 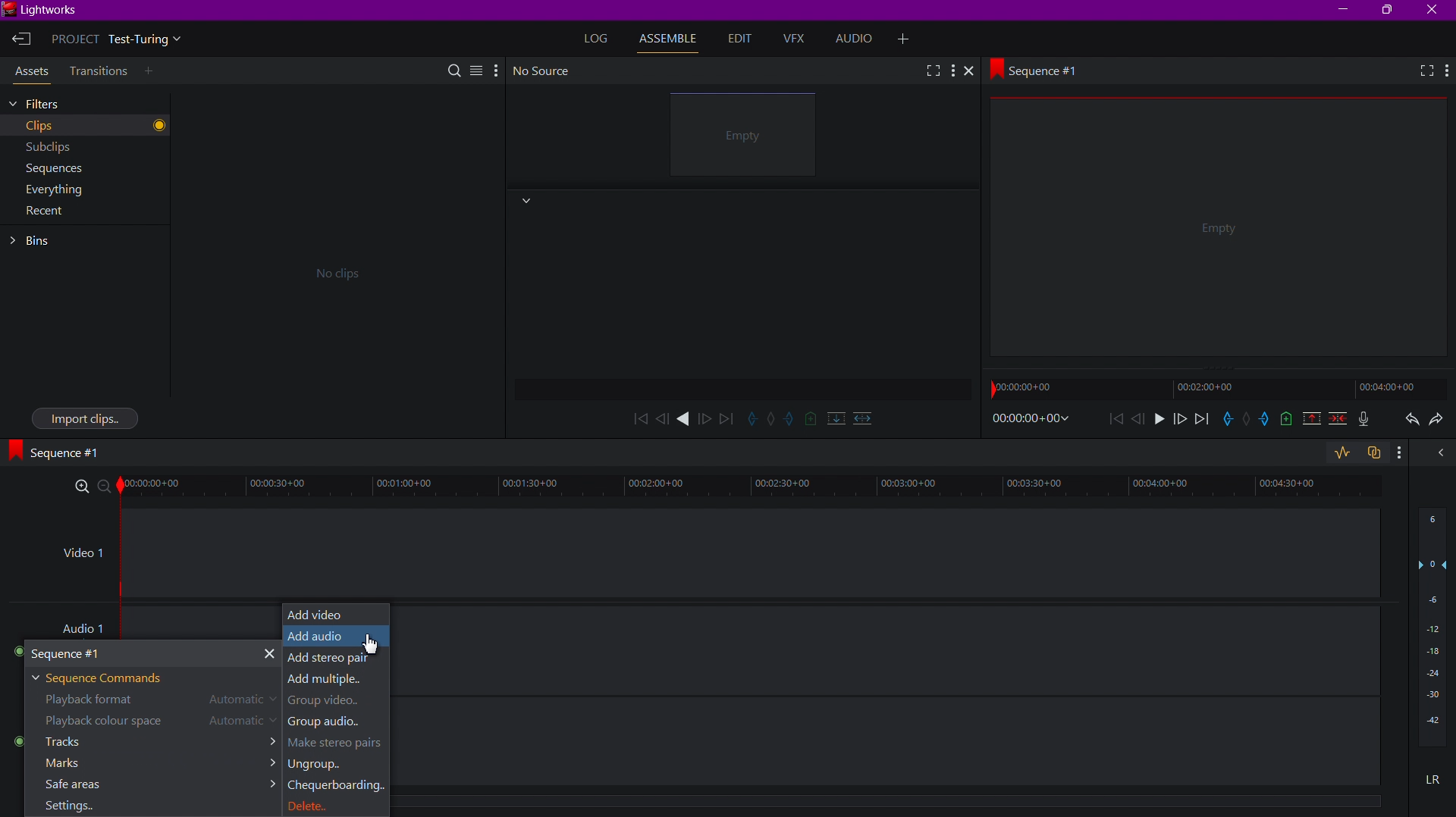 What do you see at coordinates (791, 420) in the screenshot?
I see `slip edit` at bounding box center [791, 420].